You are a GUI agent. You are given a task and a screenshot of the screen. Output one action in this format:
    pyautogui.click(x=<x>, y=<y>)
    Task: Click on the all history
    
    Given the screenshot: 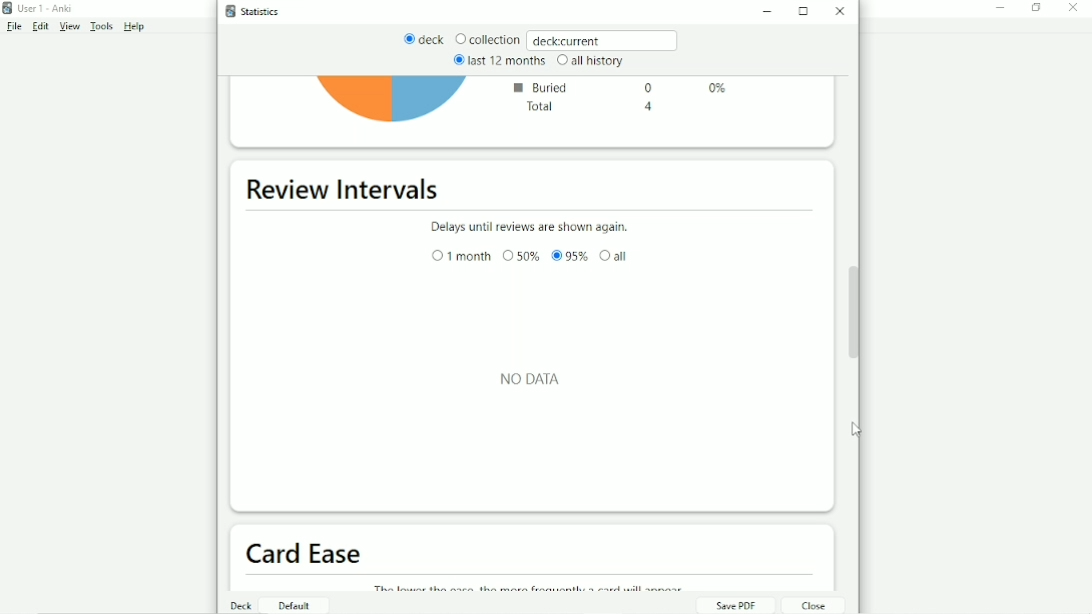 What is the action you would take?
    pyautogui.click(x=589, y=61)
    